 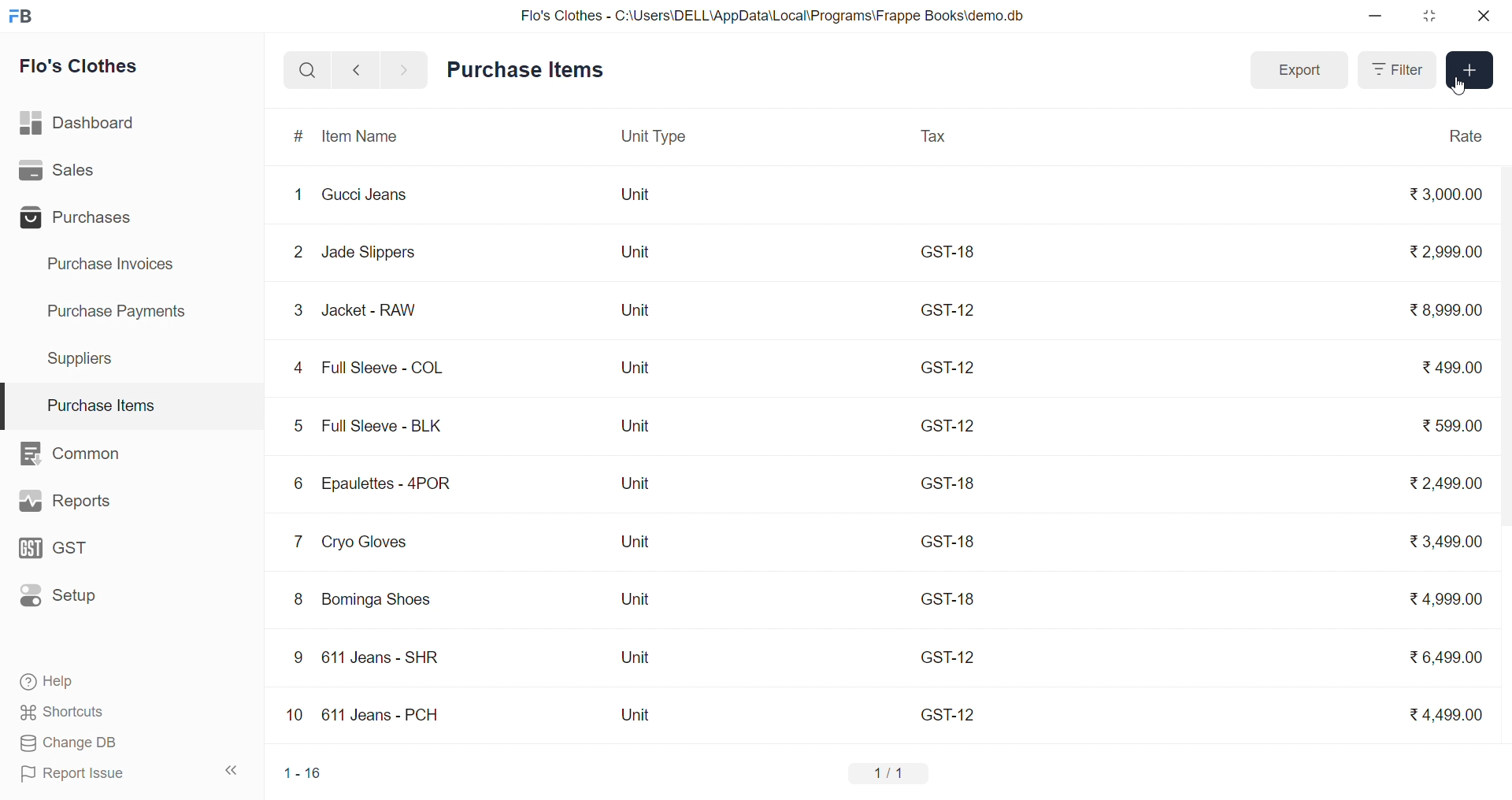 I want to click on ₹4,999.00, so click(x=1438, y=598).